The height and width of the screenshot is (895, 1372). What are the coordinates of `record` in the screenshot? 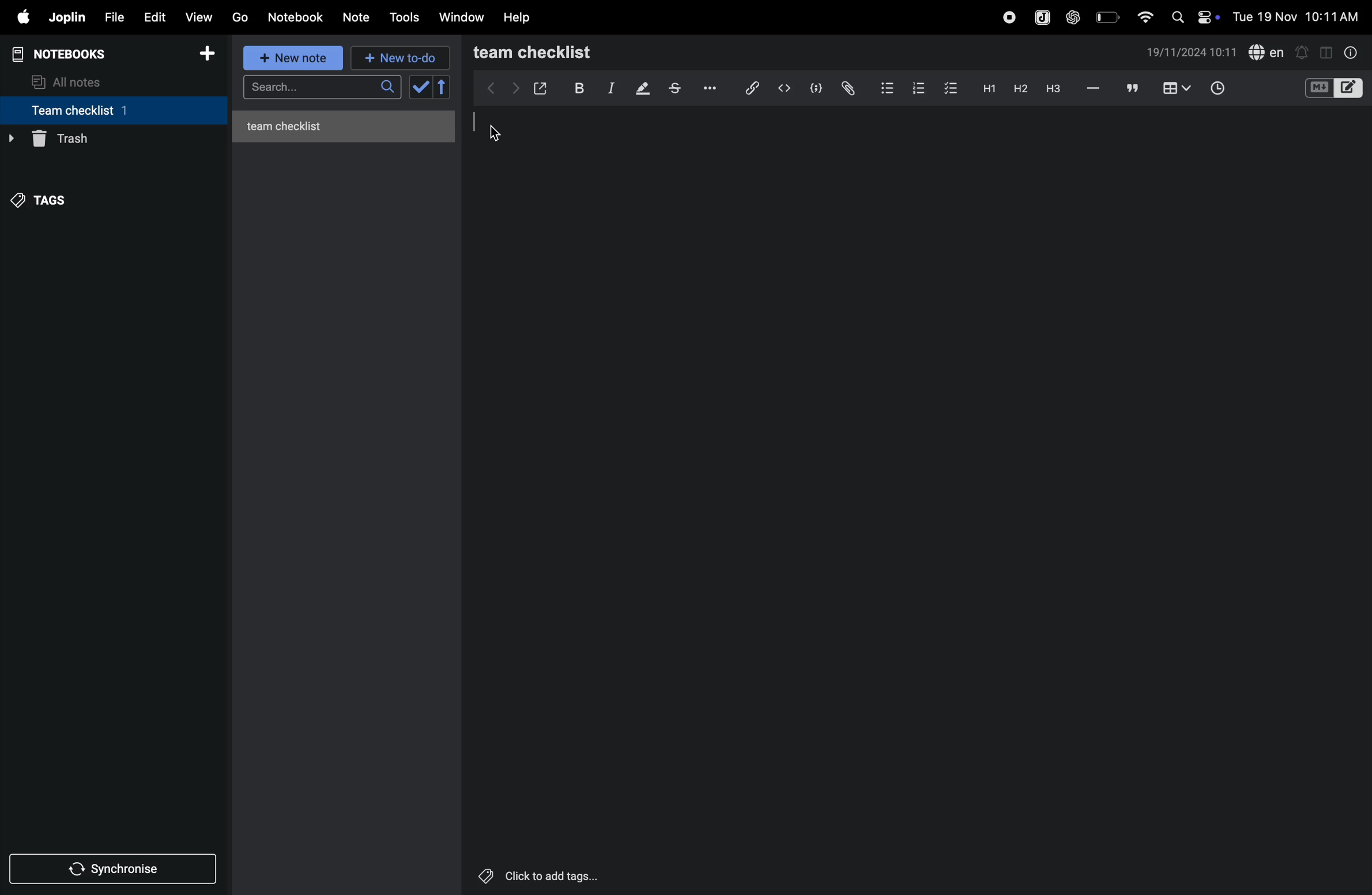 It's located at (1005, 17).